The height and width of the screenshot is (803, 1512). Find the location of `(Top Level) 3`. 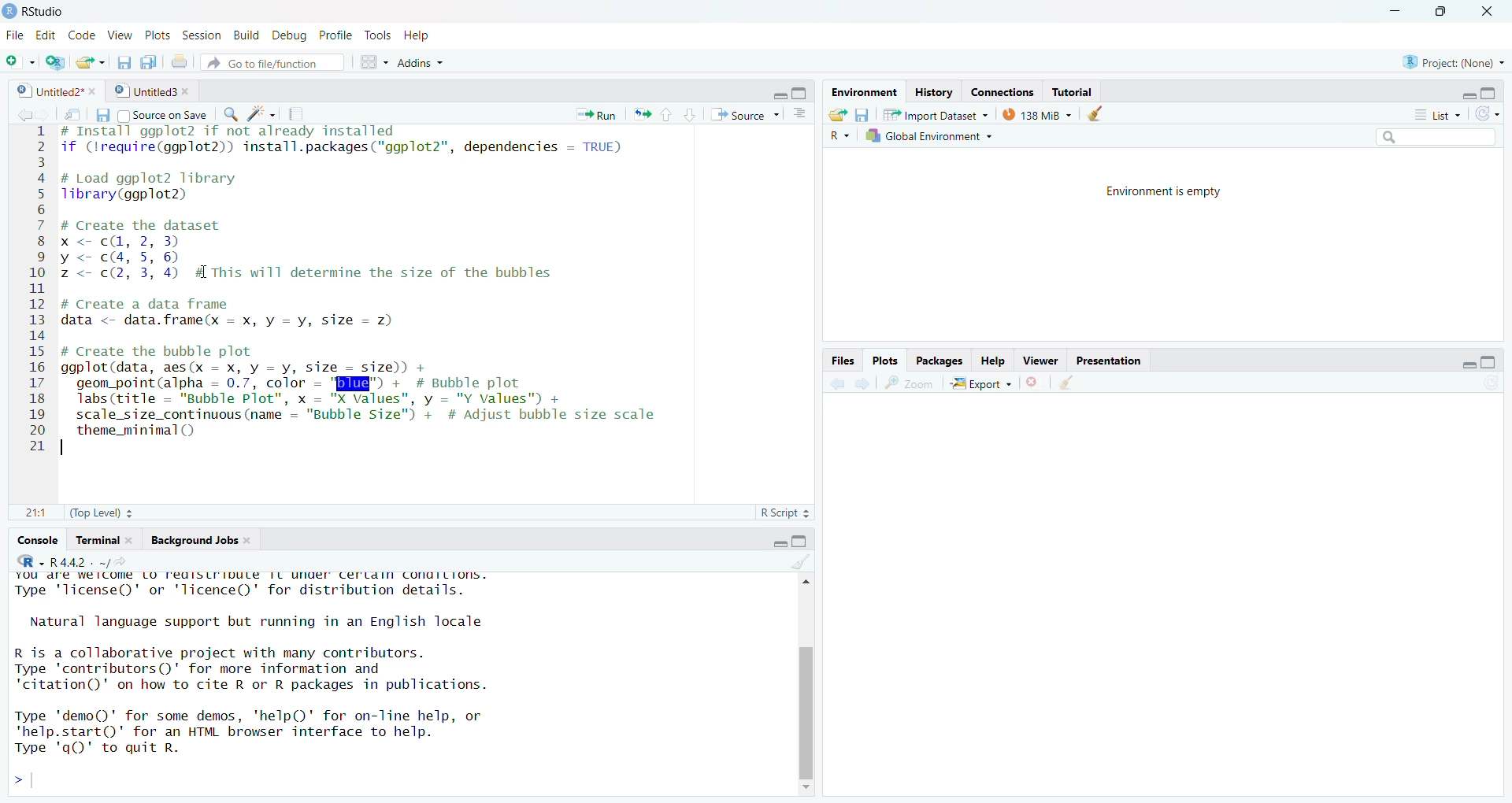

(Top Level) 3 is located at coordinates (92, 515).